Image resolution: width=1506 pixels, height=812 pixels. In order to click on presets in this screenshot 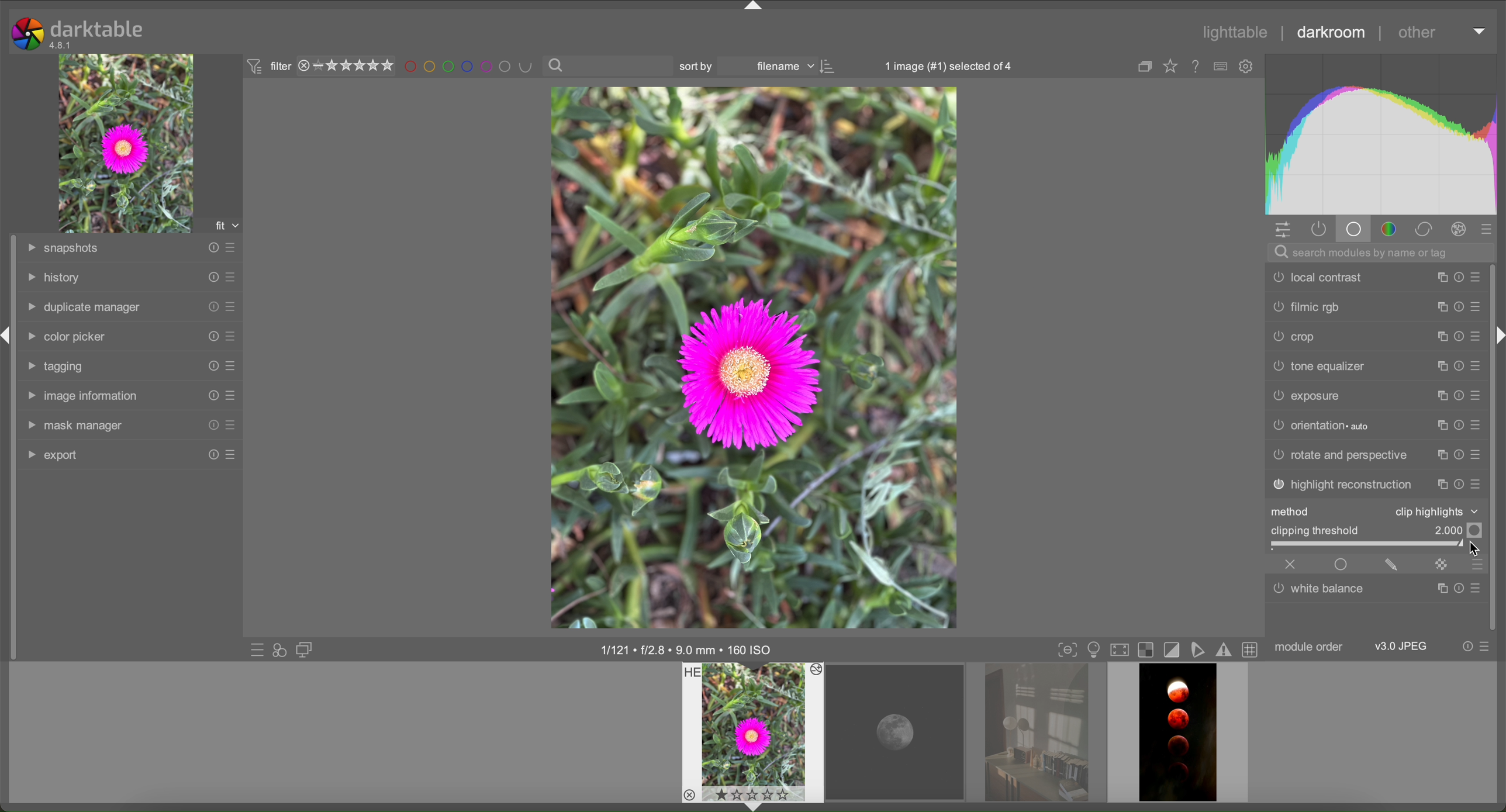, I will do `click(1479, 455)`.